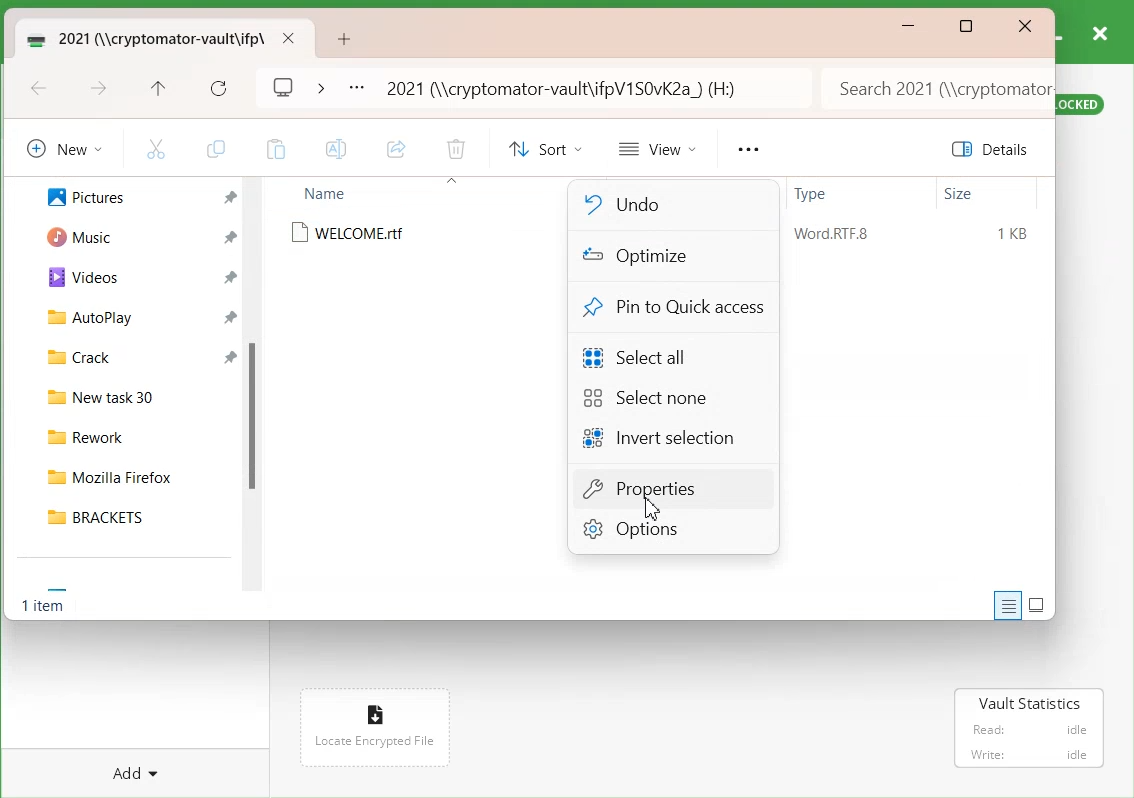 The width and height of the screenshot is (1134, 798). I want to click on Pin a file, so click(230, 237).